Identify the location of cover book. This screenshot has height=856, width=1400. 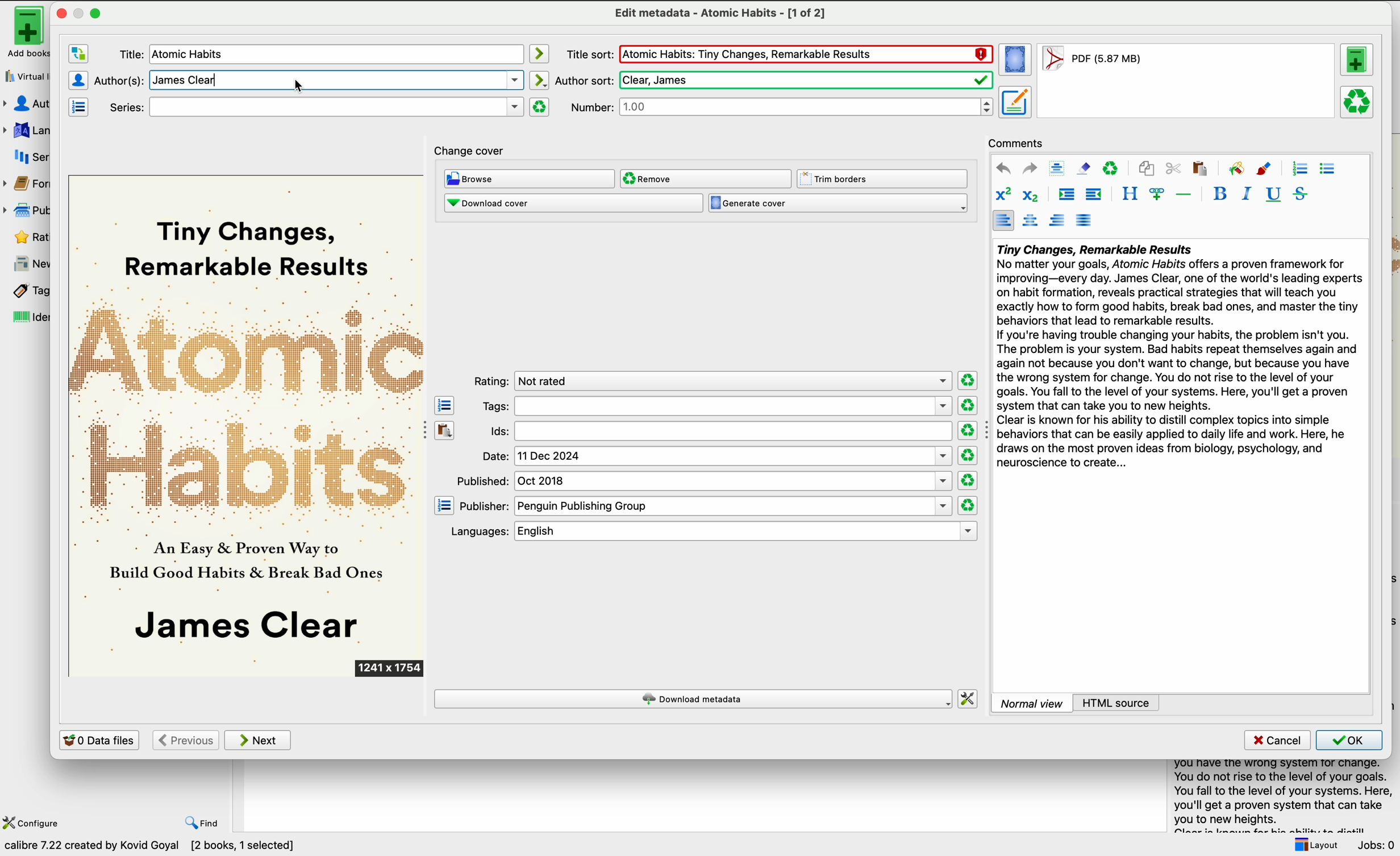
(248, 426).